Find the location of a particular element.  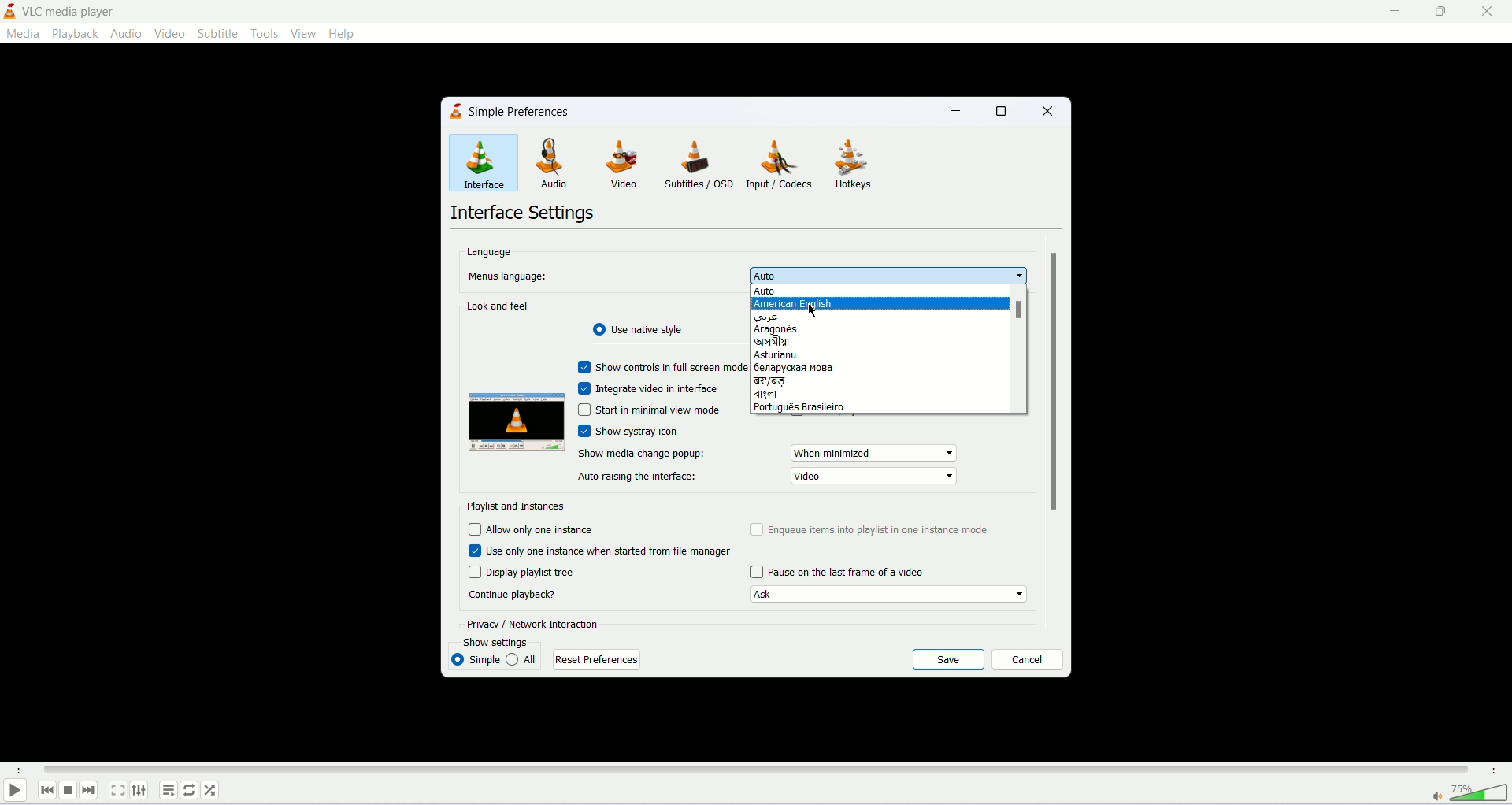

all is located at coordinates (522, 658).